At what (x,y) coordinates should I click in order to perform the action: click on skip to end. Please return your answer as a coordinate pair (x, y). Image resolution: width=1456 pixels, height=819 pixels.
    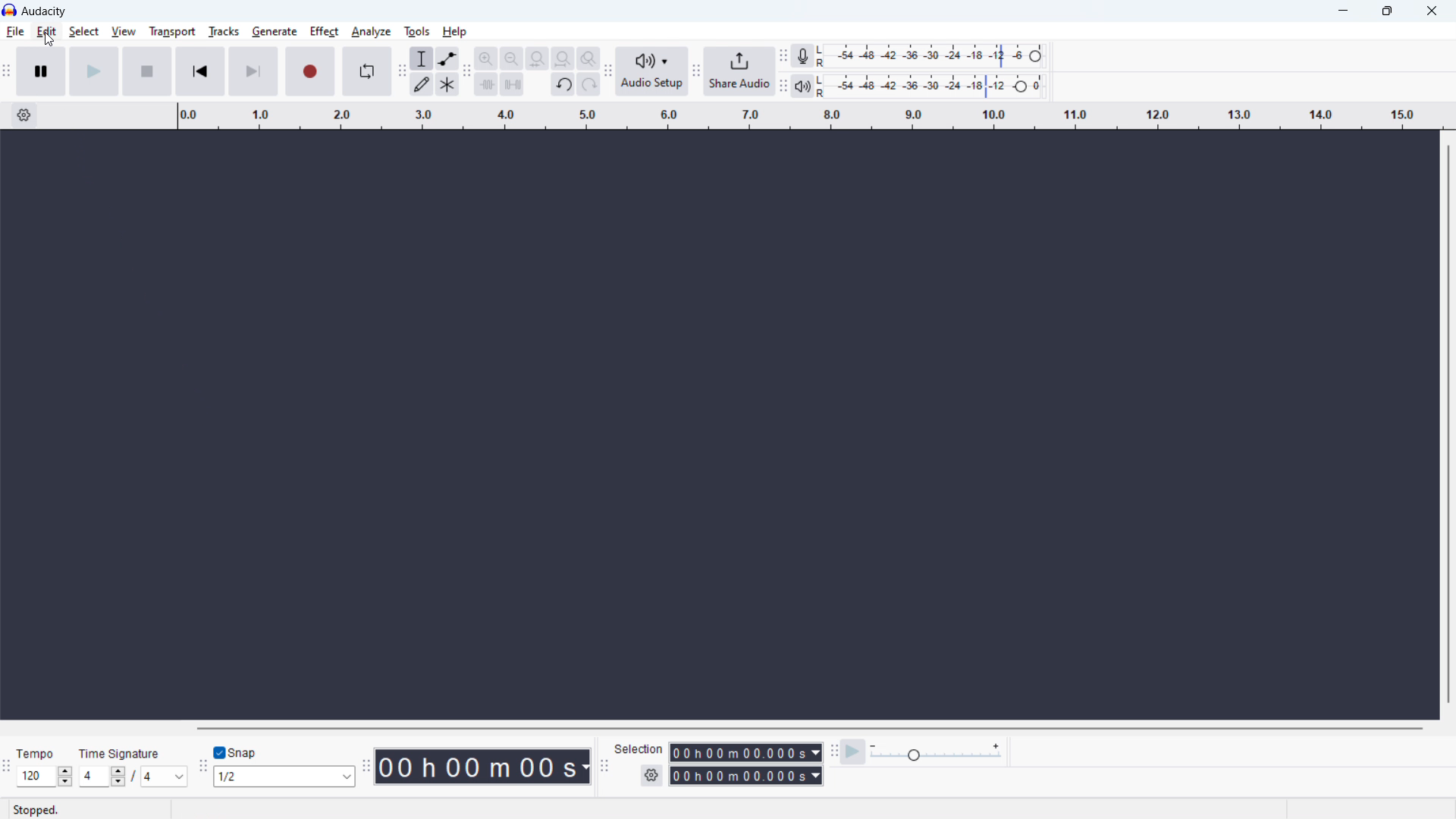
    Looking at the image, I should click on (253, 71).